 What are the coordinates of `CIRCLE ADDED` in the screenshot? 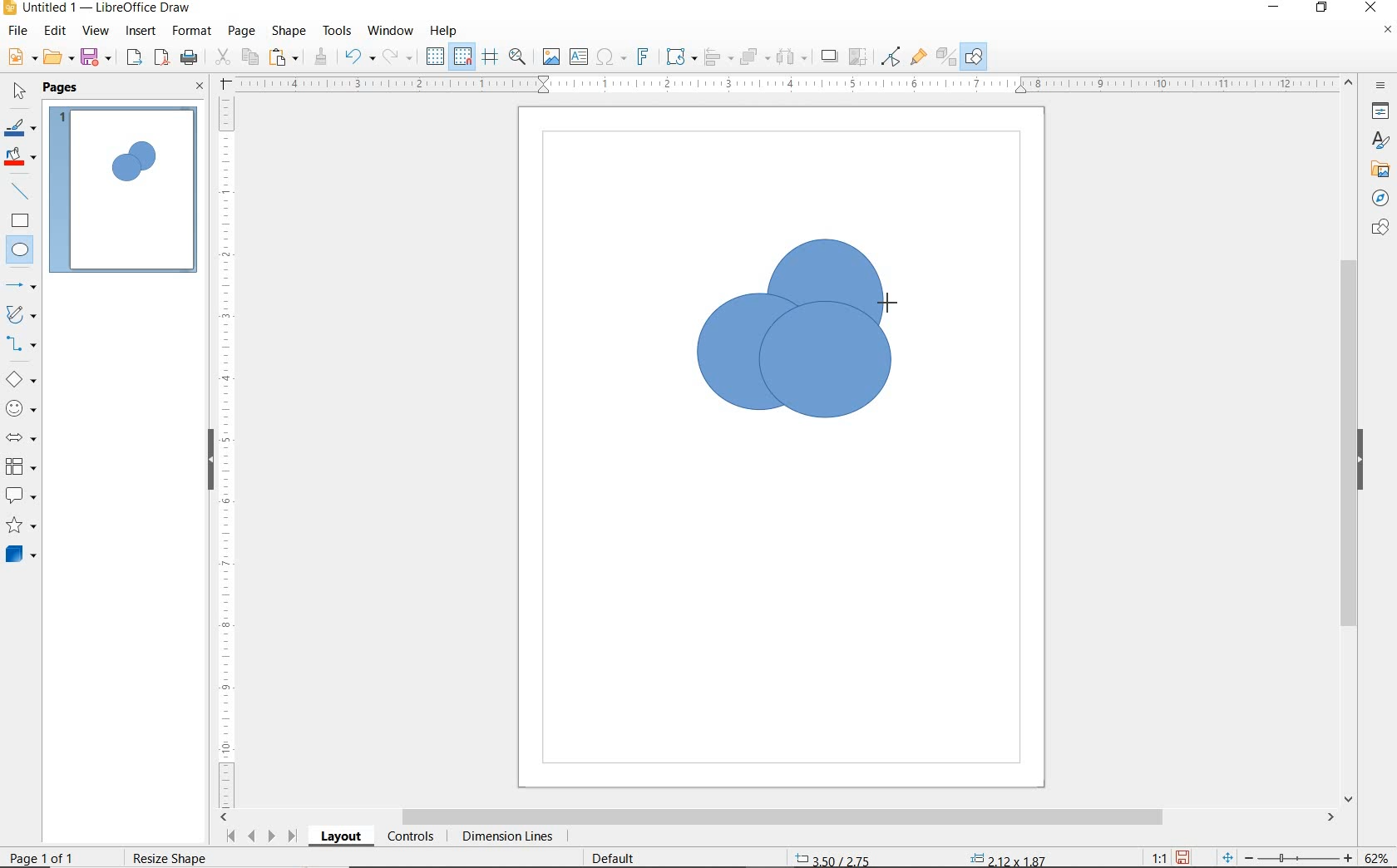 It's located at (125, 167).